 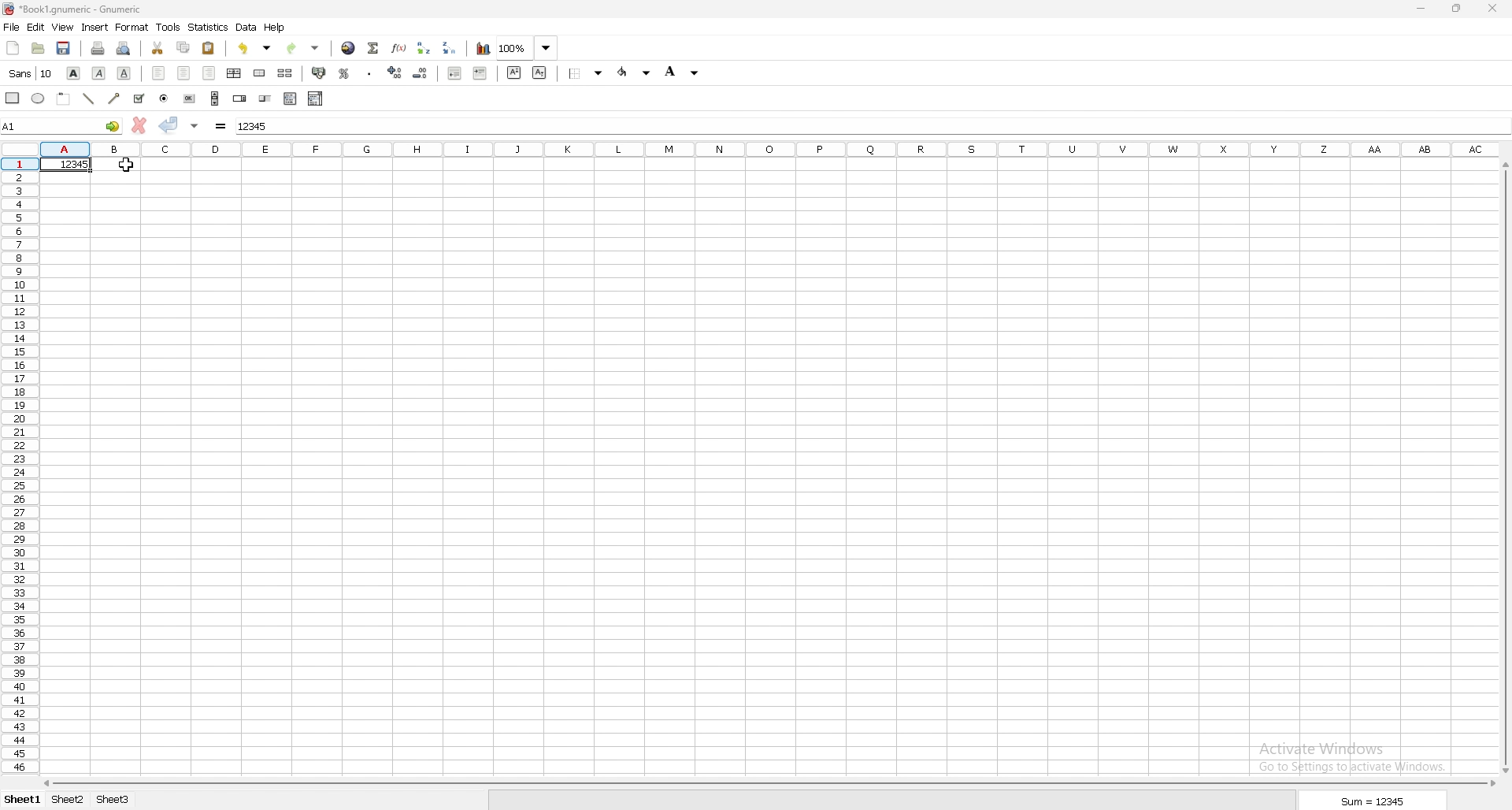 What do you see at coordinates (139, 99) in the screenshot?
I see `tickbox` at bounding box center [139, 99].